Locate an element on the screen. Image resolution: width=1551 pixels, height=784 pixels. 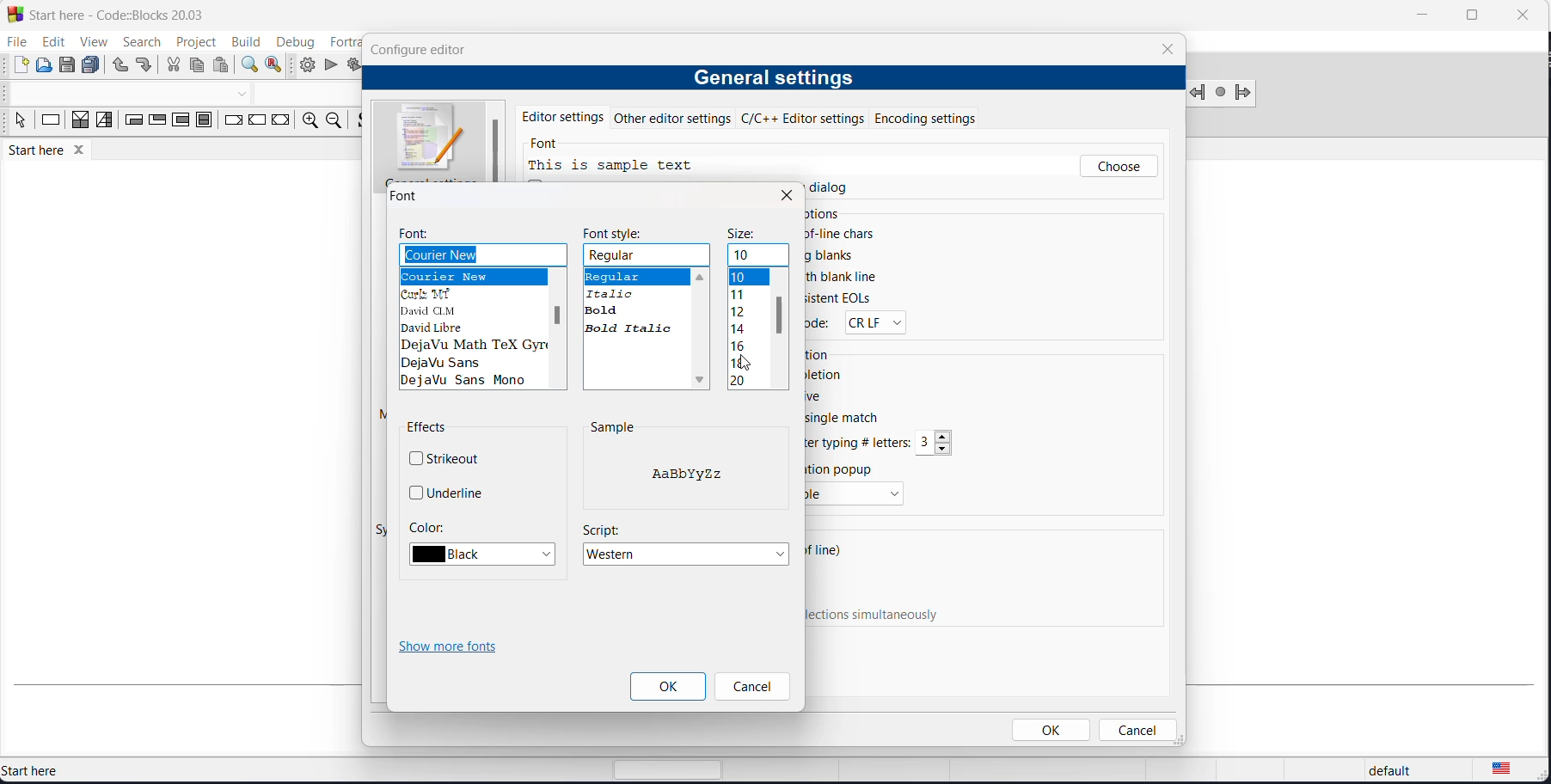
minimize is located at coordinates (1419, 17).